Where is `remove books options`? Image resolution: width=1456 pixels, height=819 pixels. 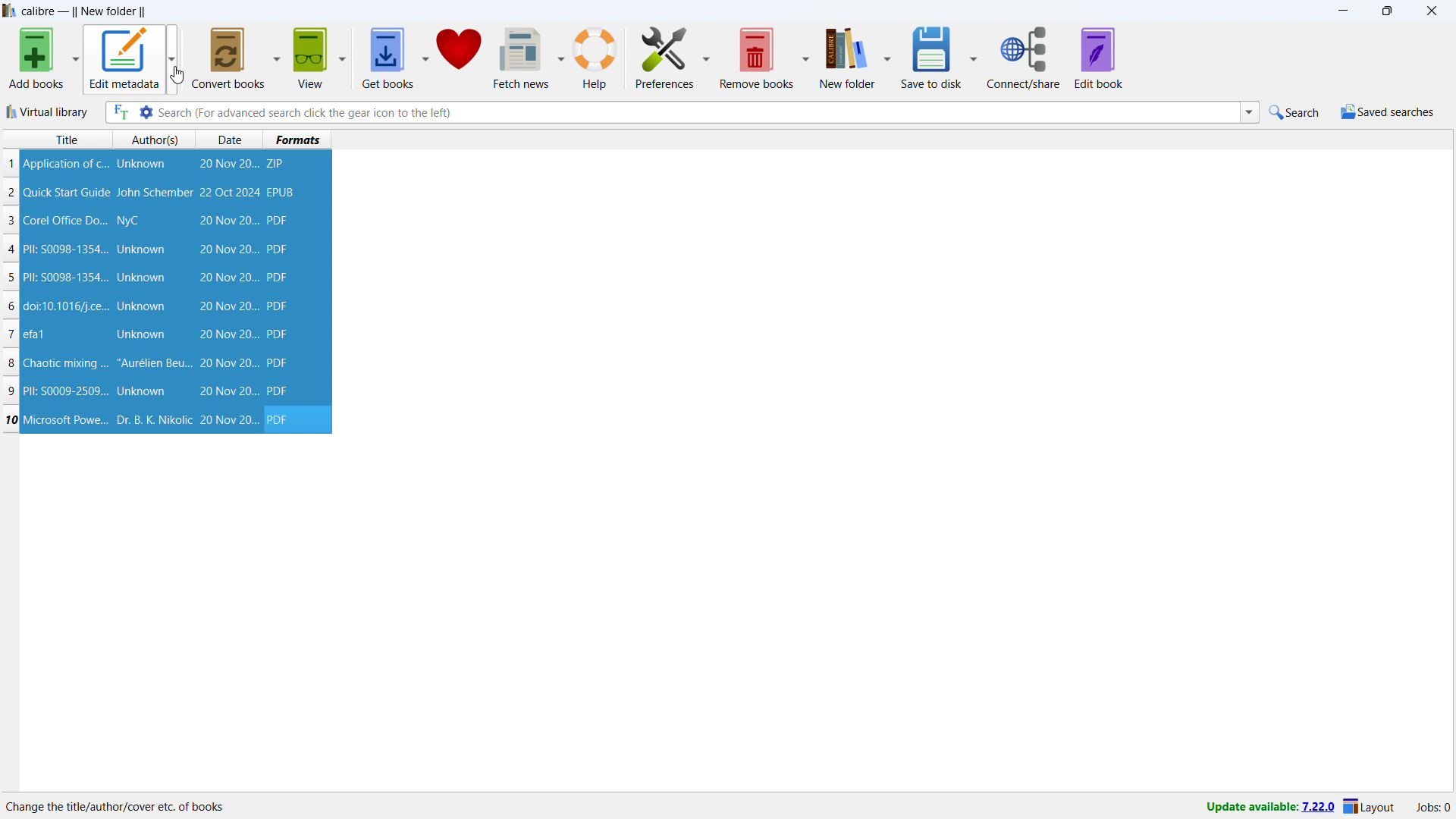 remove books options is located at coordinates (808, 57).